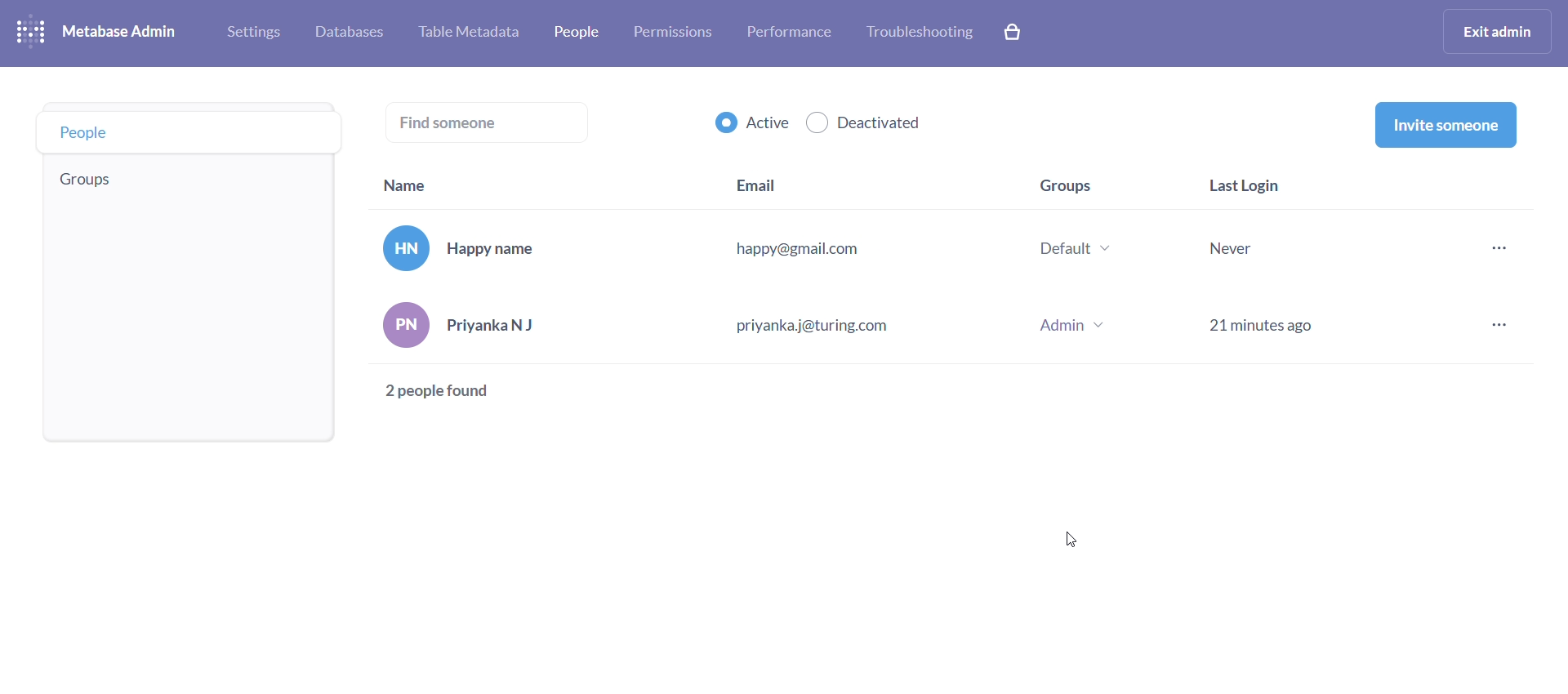 This screenshot has height=694, width=1568. What do you see at coordinates (746, 118) in the screenshot?
I see `active` at bounding box center [746, 118].